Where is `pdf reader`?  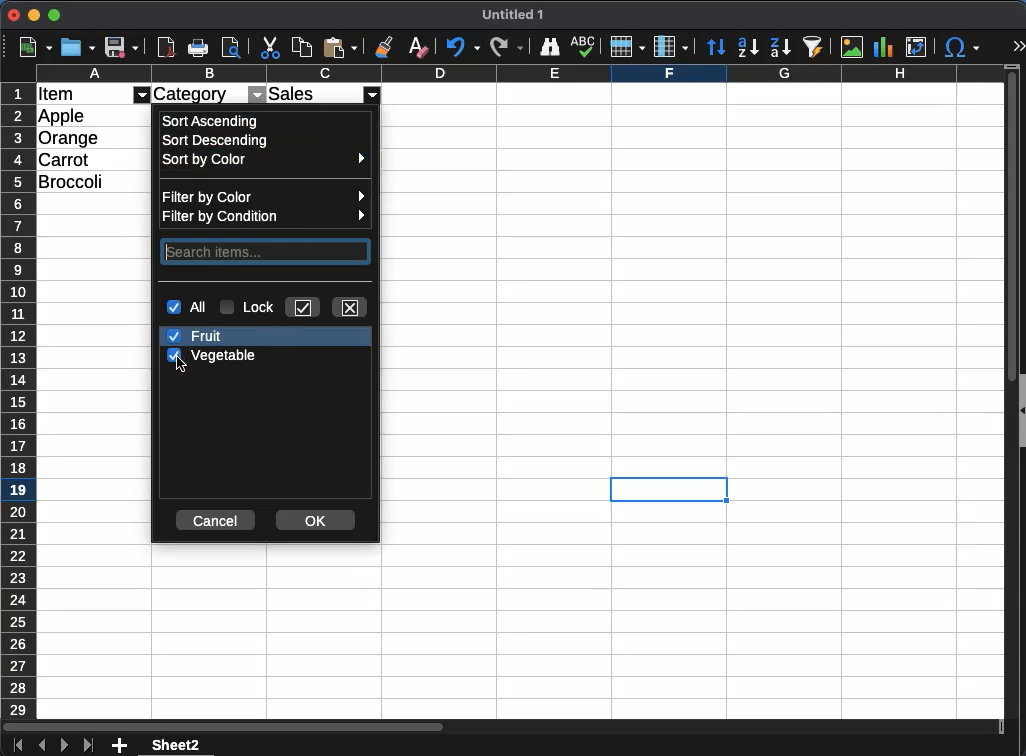
pdf reader is located at coordinates (166, 48).